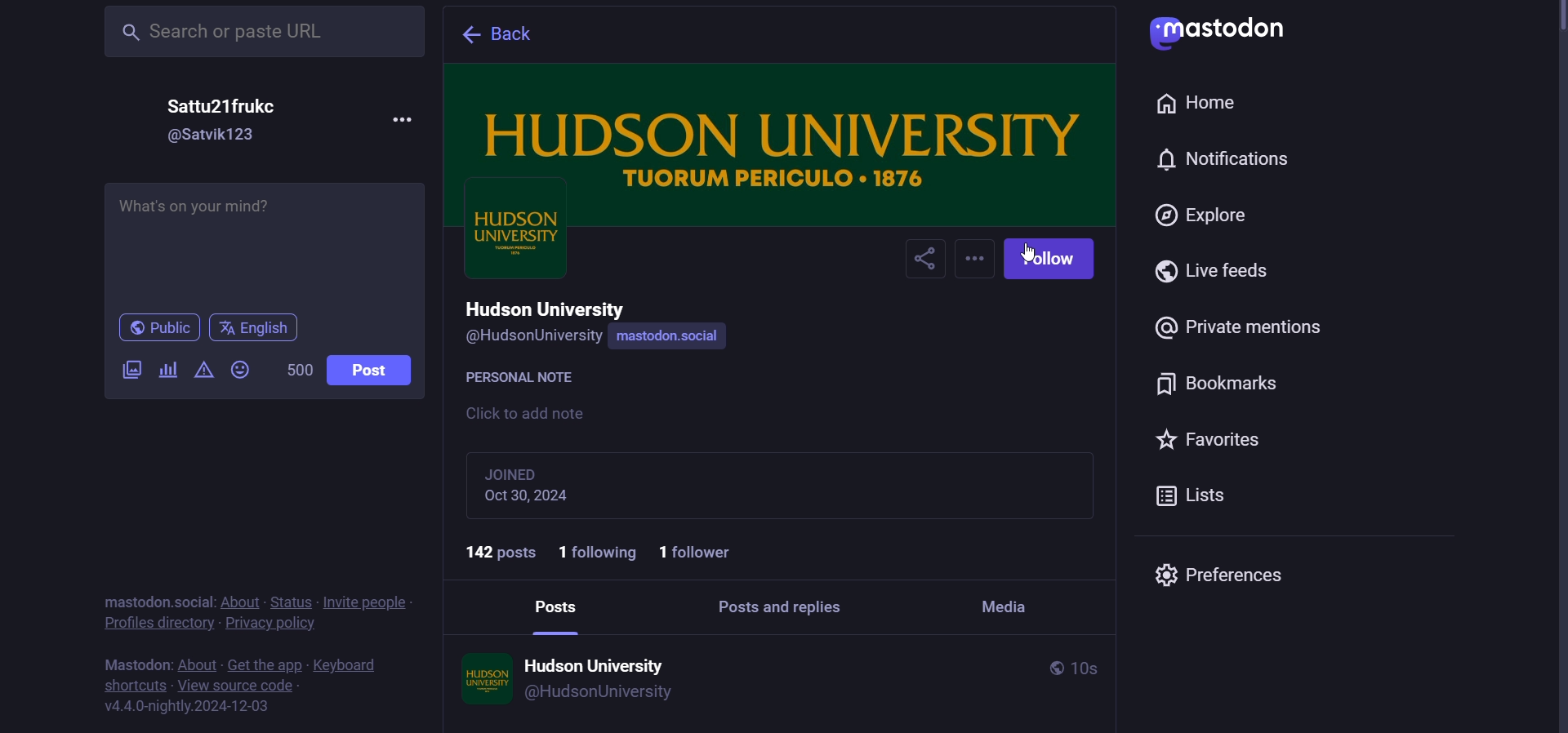  I want to click on Sattu21frukc, so click(240, 105).